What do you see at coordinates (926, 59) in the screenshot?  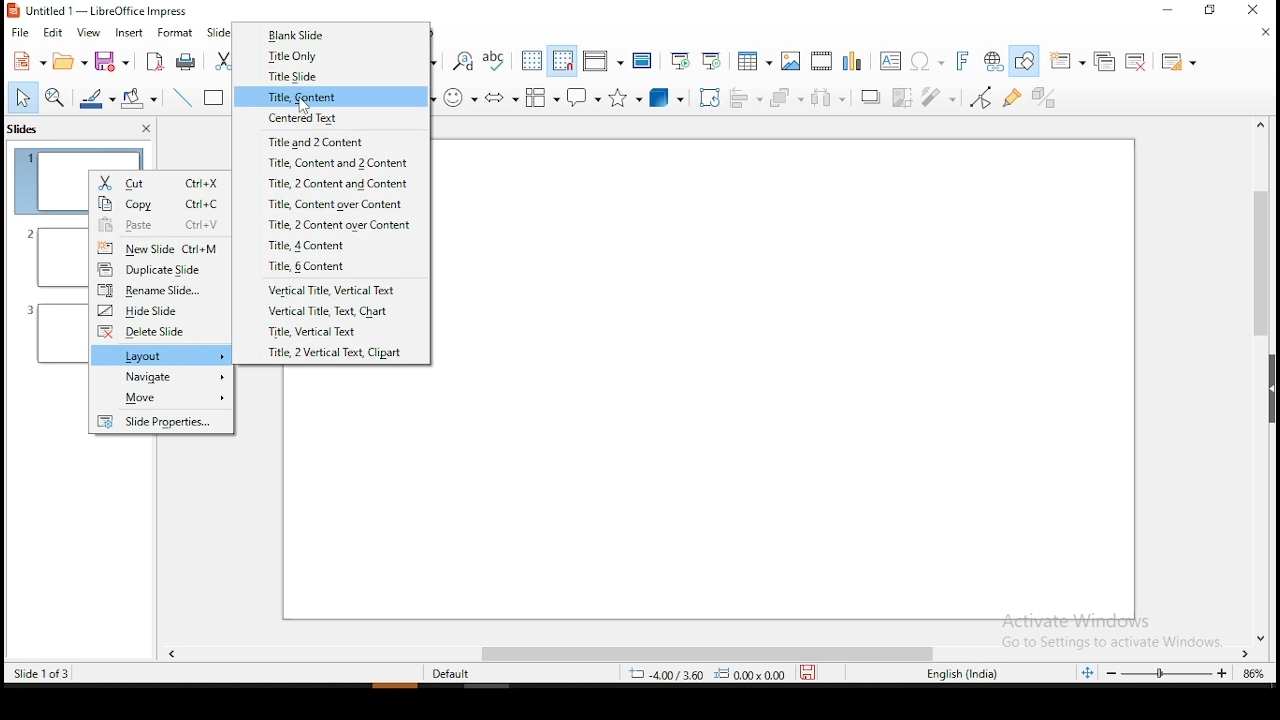 I see `insert special characters` at bounding box center [926, 59].